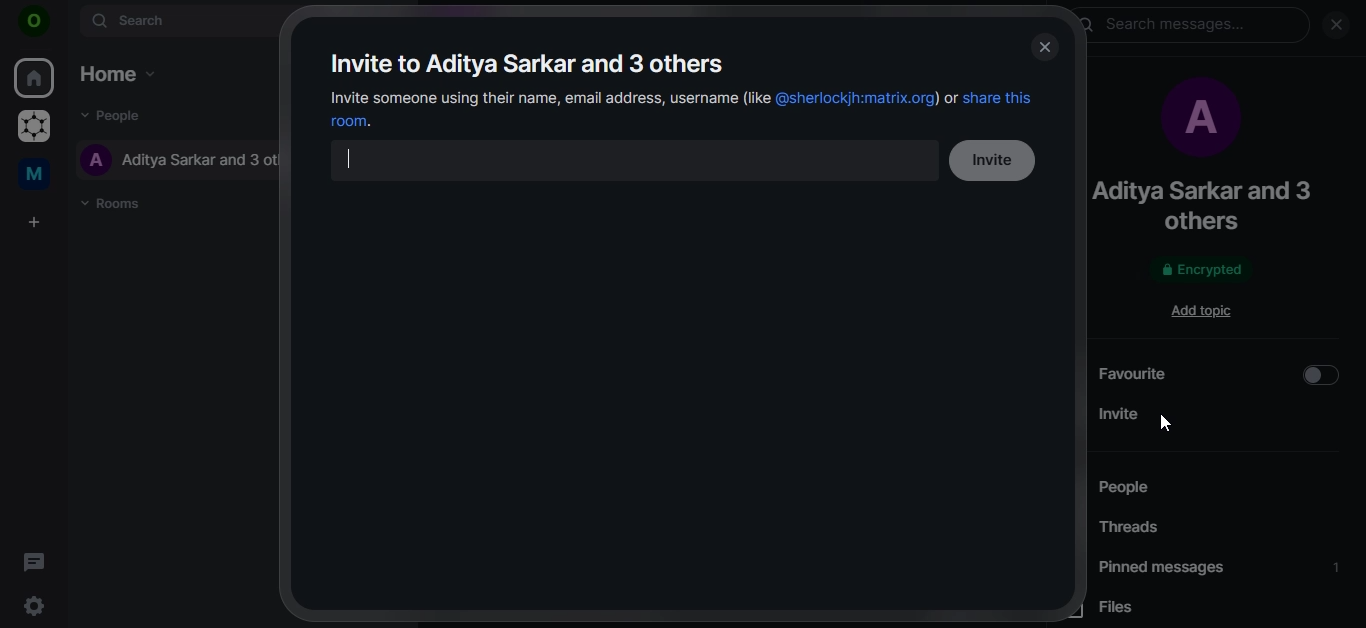 The image size is (1366, 628). Describe the element at coordinates (38, 172) in the screenshot. I see `me` at that location.